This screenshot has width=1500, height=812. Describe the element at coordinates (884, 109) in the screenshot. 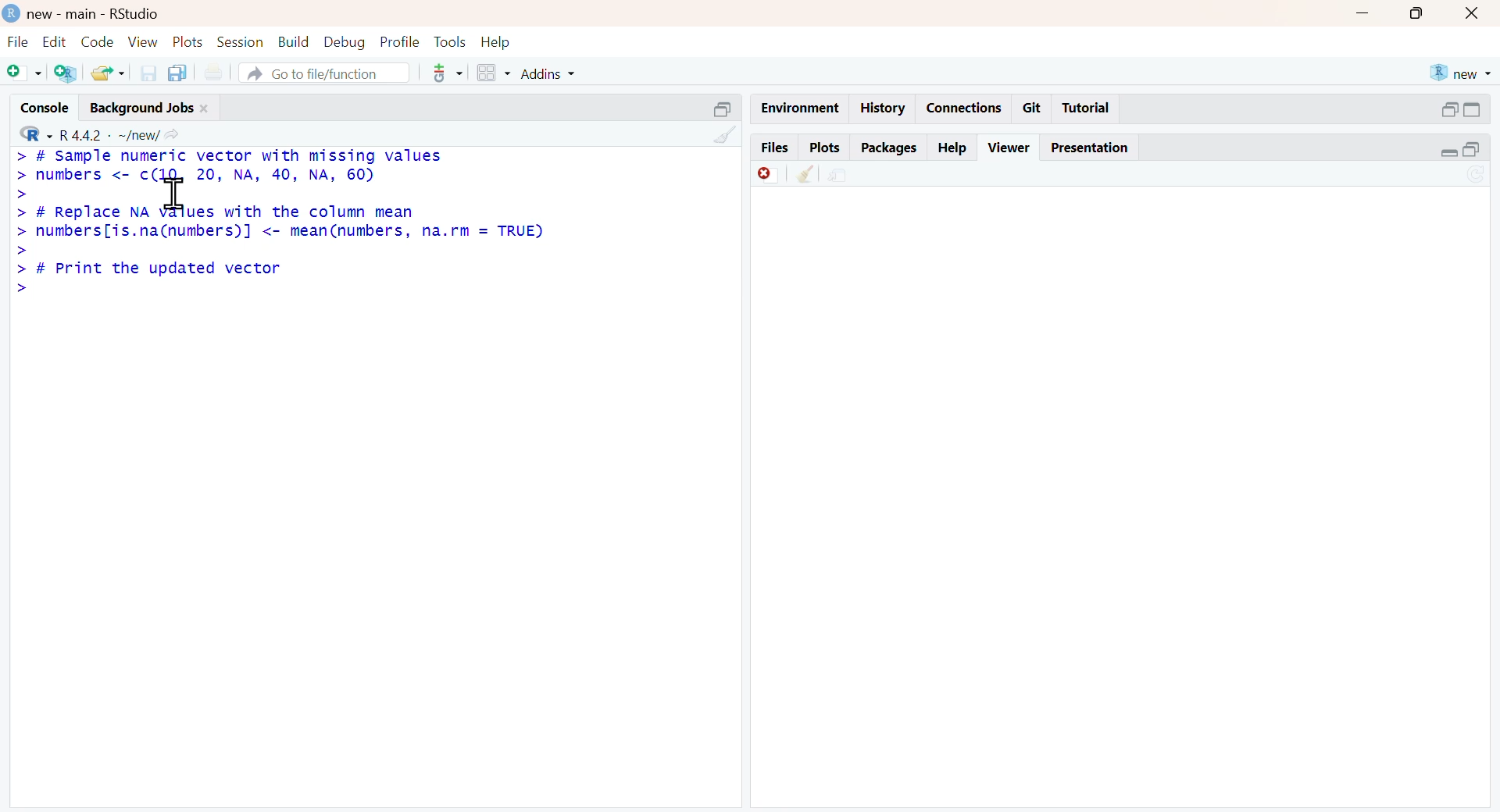

I see `history` at that location.